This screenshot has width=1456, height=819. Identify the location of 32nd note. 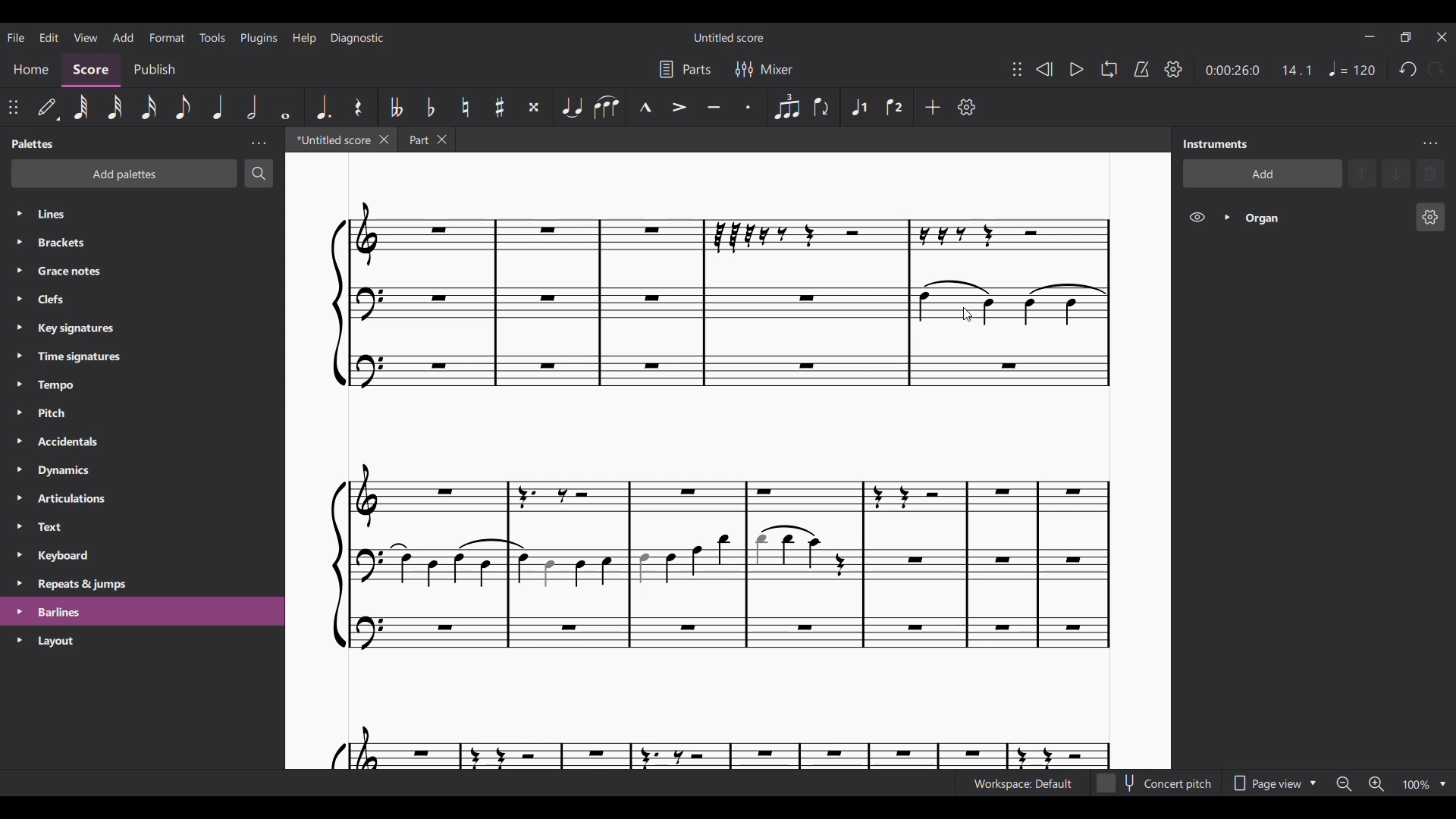
(116, 108).